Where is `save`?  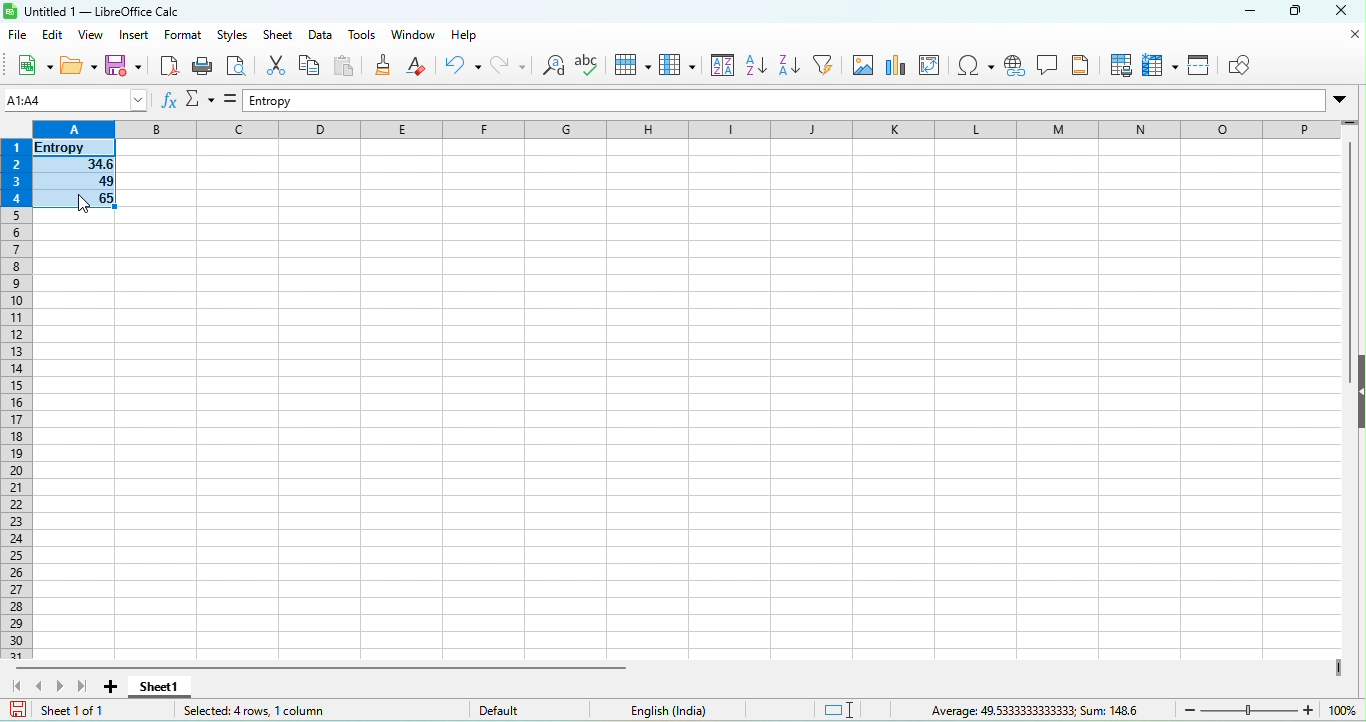
save is located at coordinates (126, 67).